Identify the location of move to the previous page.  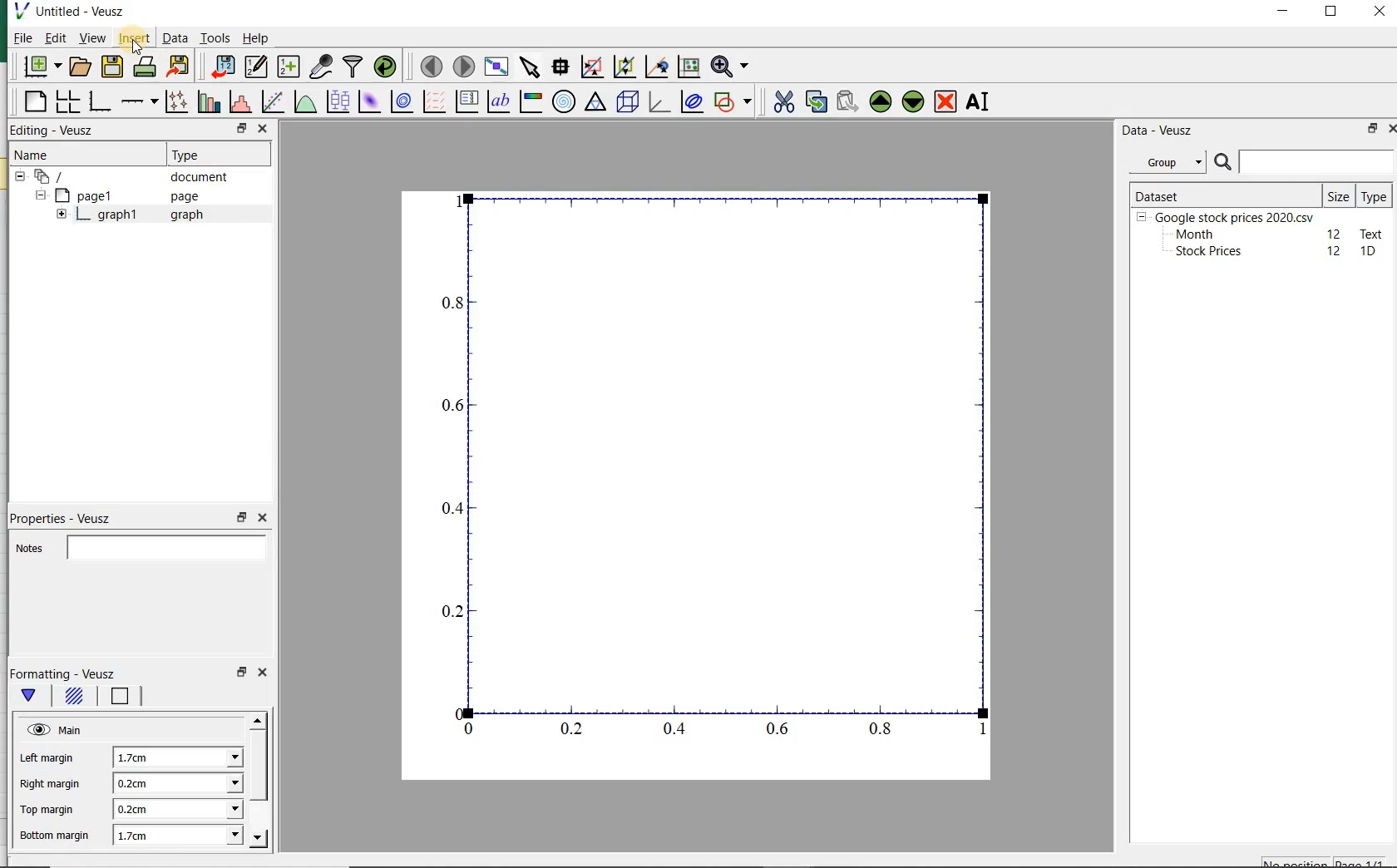
(429, 65).